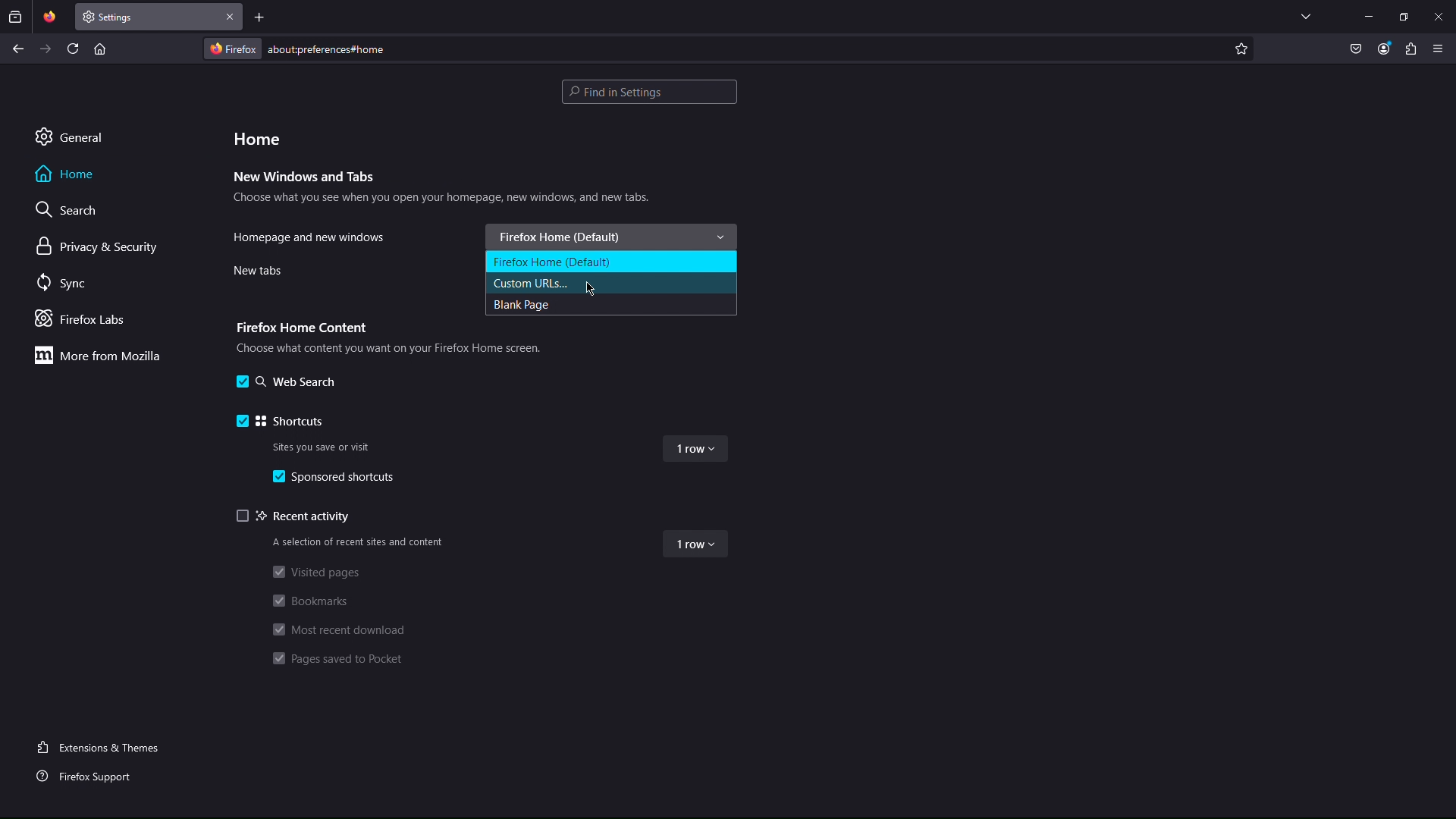 This screenshot has height=819, width=1456. Describe the element at coordinates (649, 92) in the screenshot. I see `Search bar` at that location.